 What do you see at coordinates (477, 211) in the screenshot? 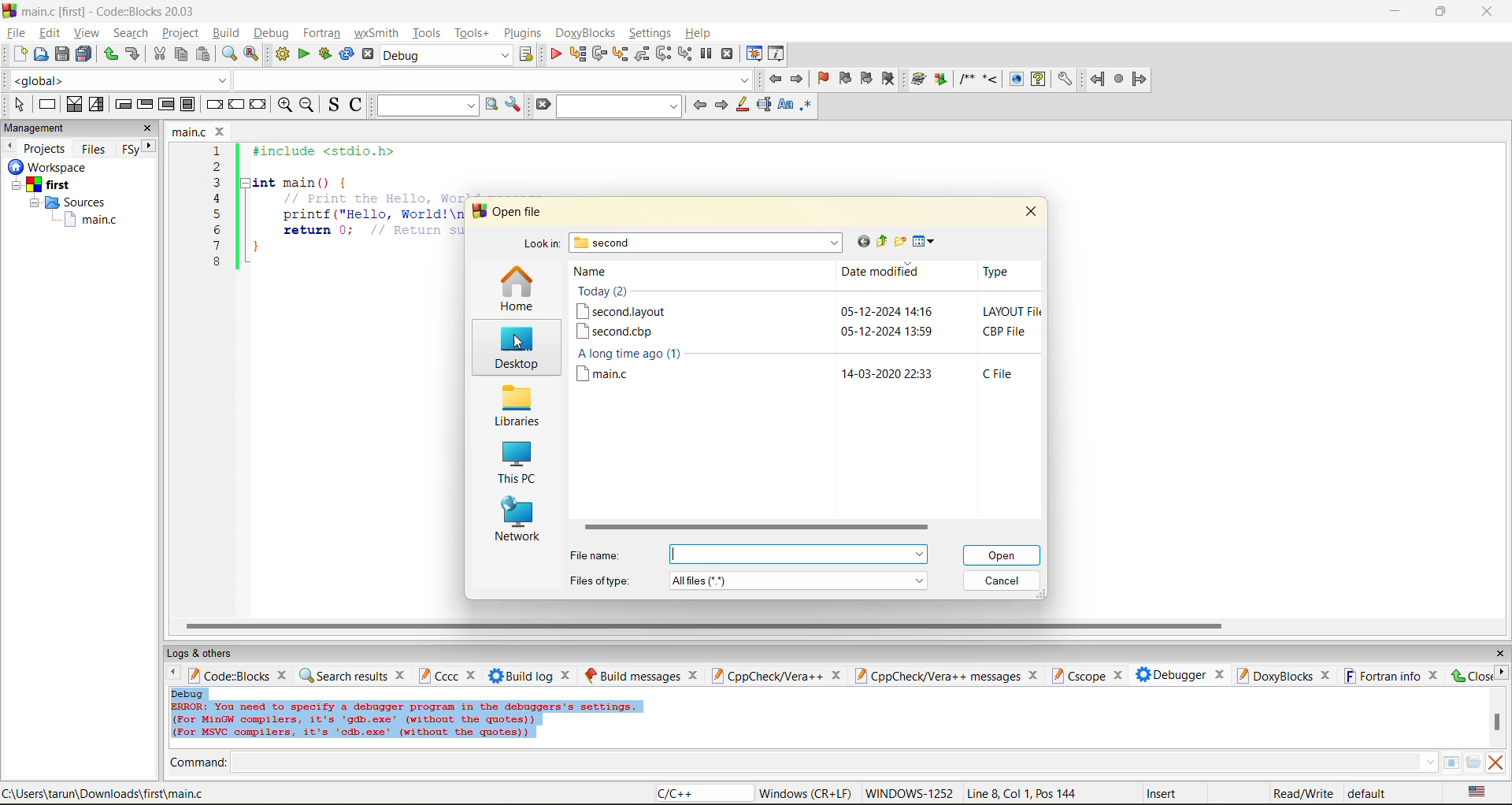
I see `logo` at bounding box center [477, 211].